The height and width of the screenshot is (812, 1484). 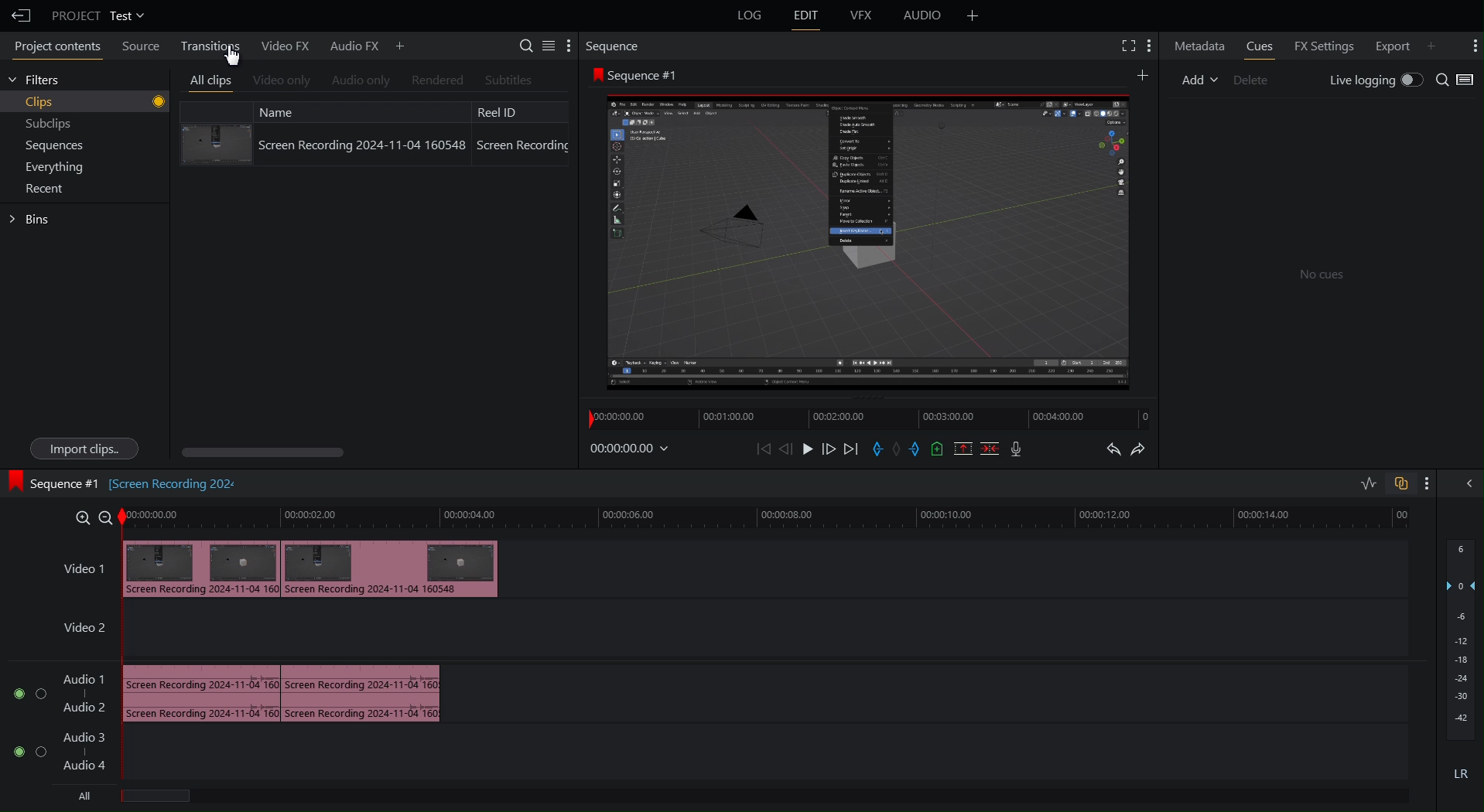 I want to click on Fullscreen, so click(x=1126, y=44).